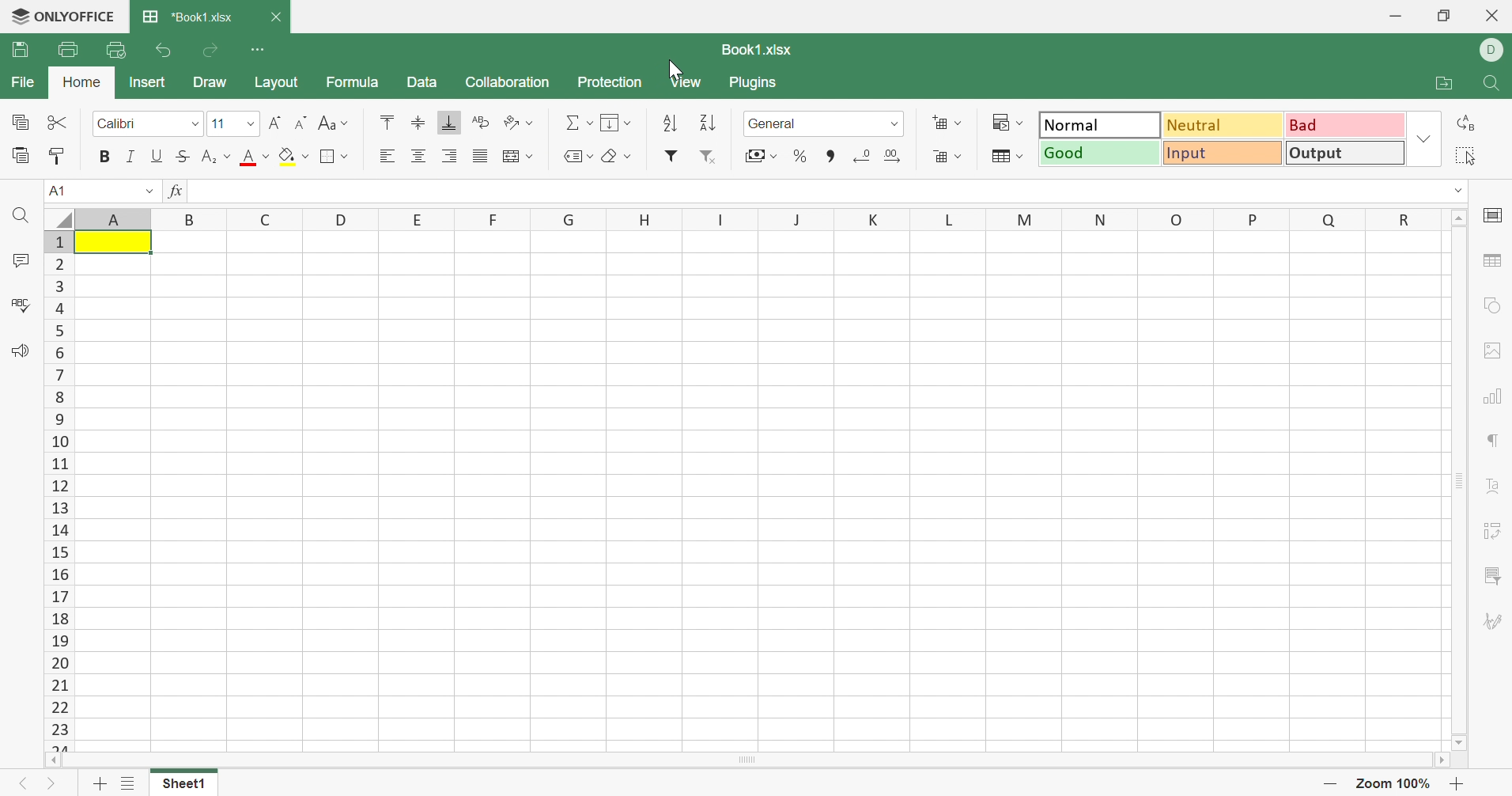 This screenshot has height=796, width=1512. Describe the element at coordinates (1493, 347) in the screenshot. I see `image settings` at that location.